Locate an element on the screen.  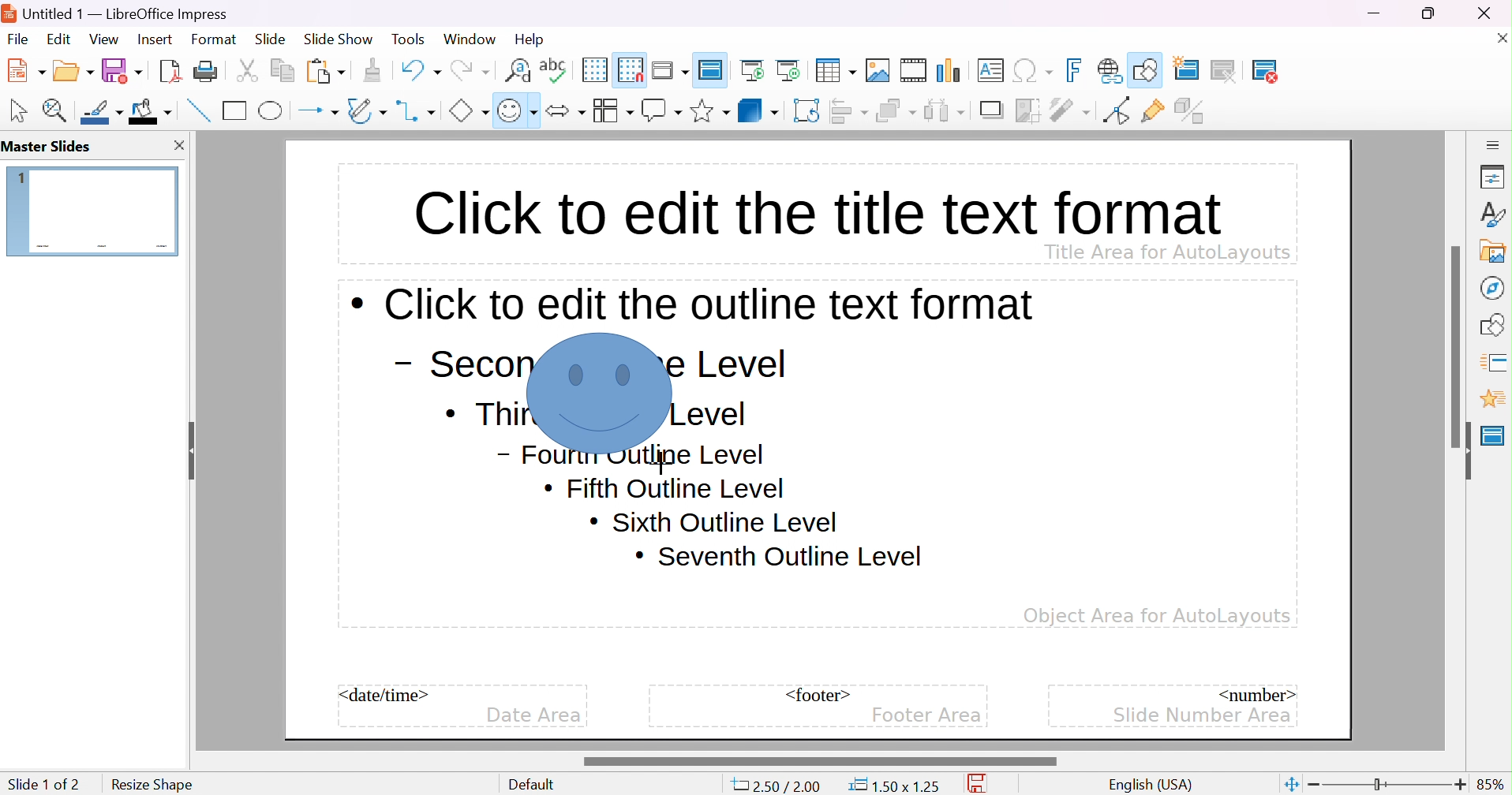
paste is located at coordinates (326, 69).